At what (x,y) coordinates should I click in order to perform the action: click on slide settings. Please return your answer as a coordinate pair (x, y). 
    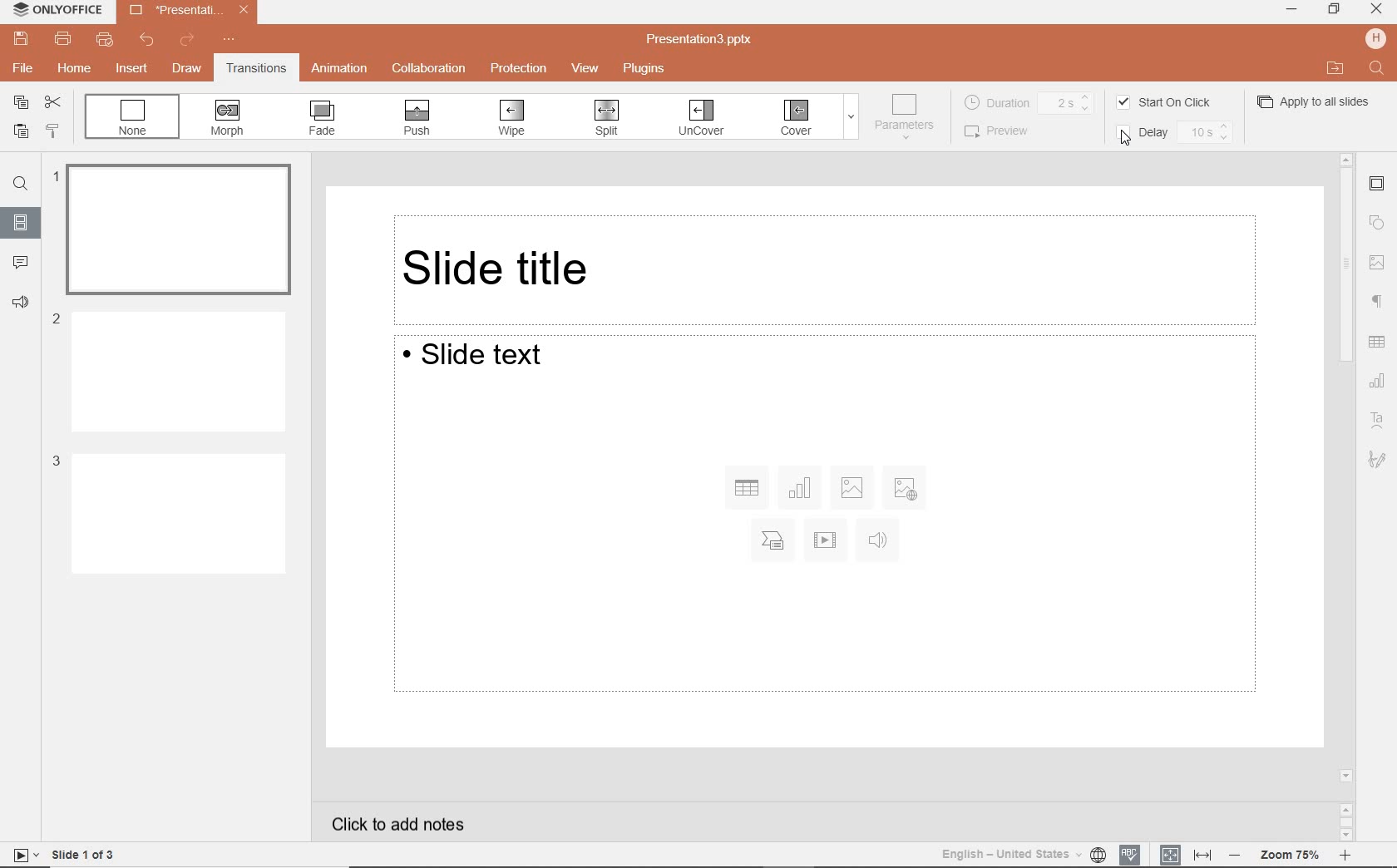
    Looking at the image, I should click on (1377, 185).